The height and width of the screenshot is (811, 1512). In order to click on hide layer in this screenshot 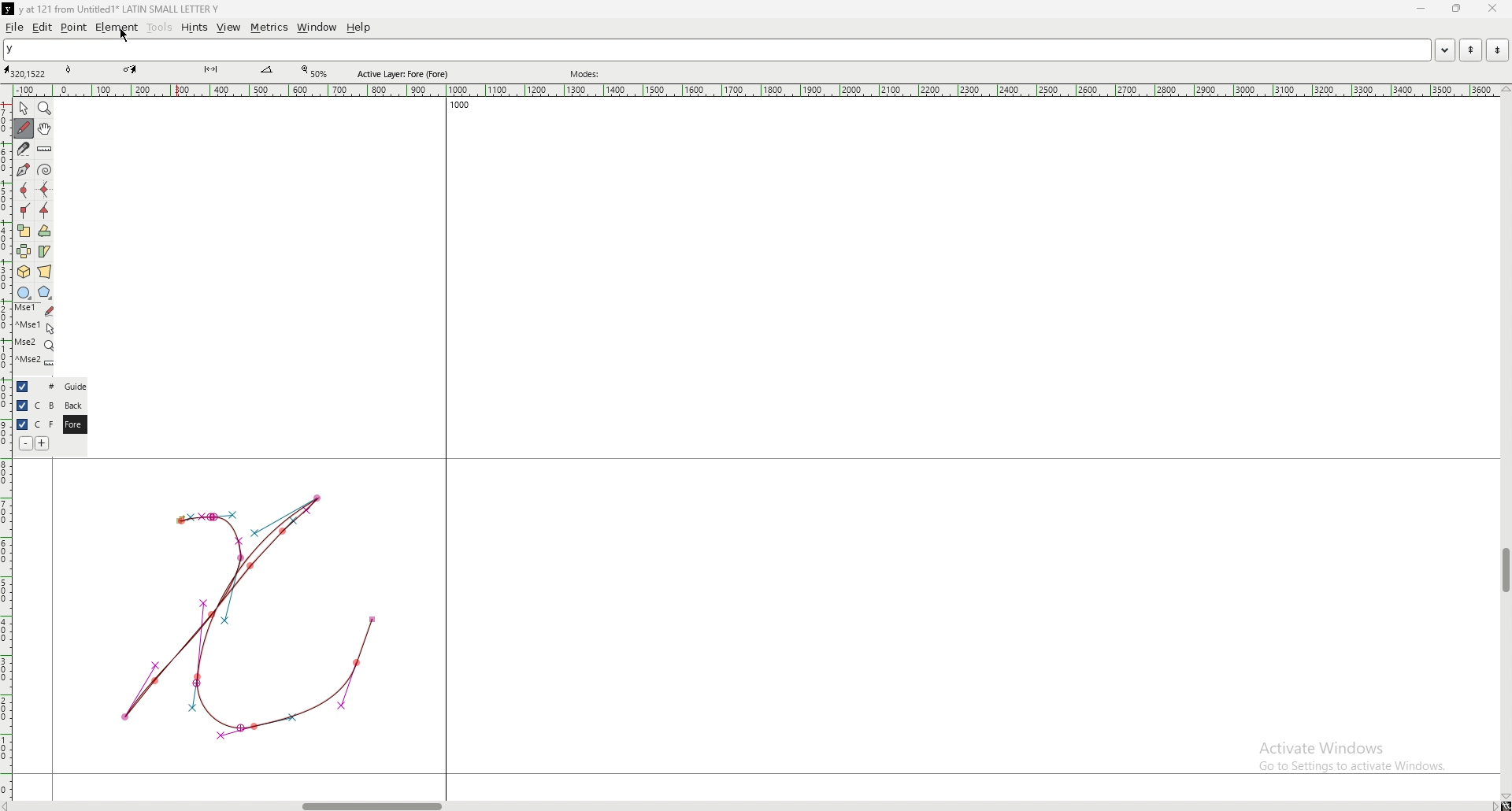, I will do `click(22, 405)`.